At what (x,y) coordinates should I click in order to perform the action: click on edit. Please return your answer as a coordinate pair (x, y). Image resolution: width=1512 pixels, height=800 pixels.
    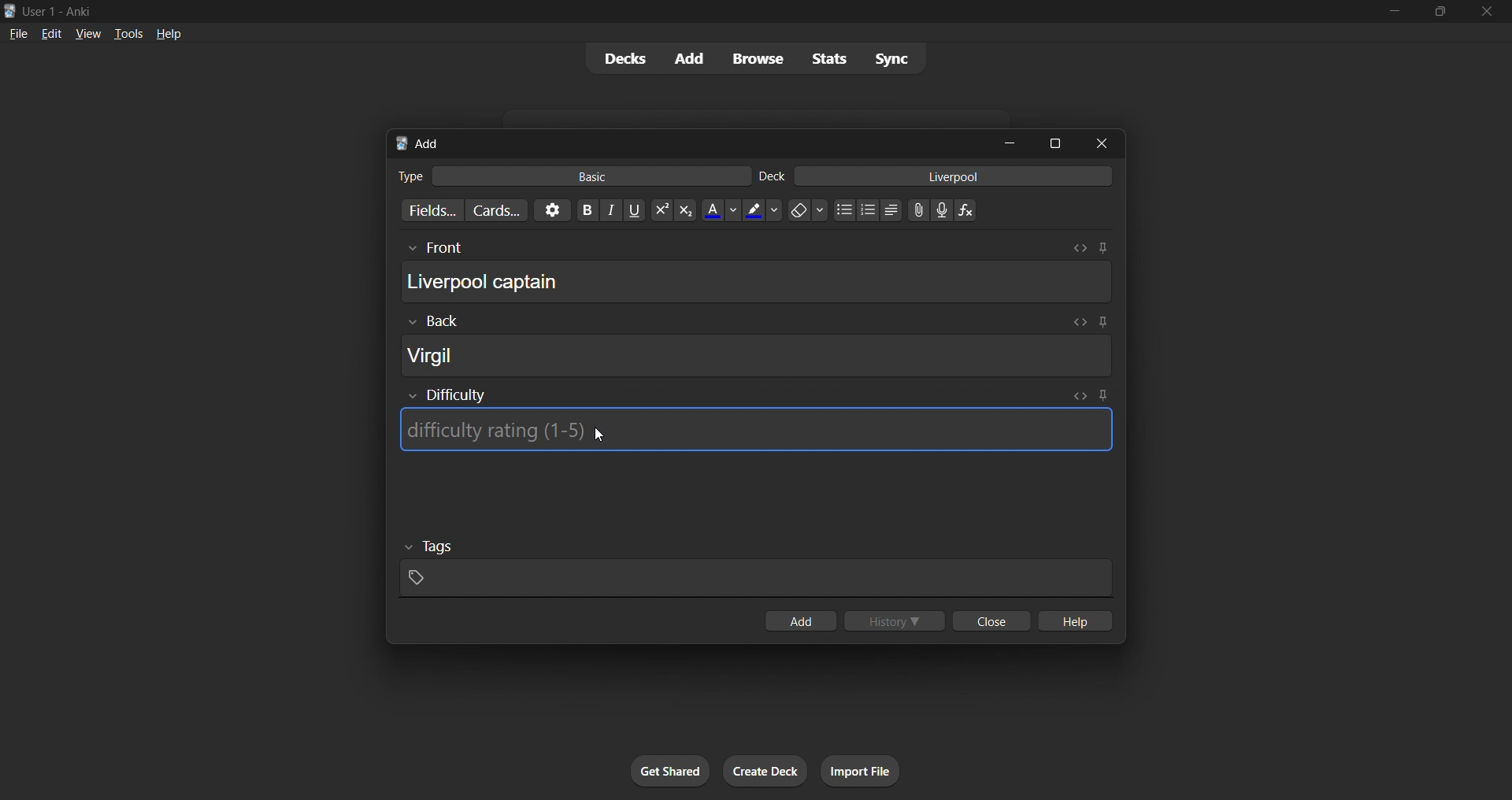
    Looking at the image, I should click on (52, 33).